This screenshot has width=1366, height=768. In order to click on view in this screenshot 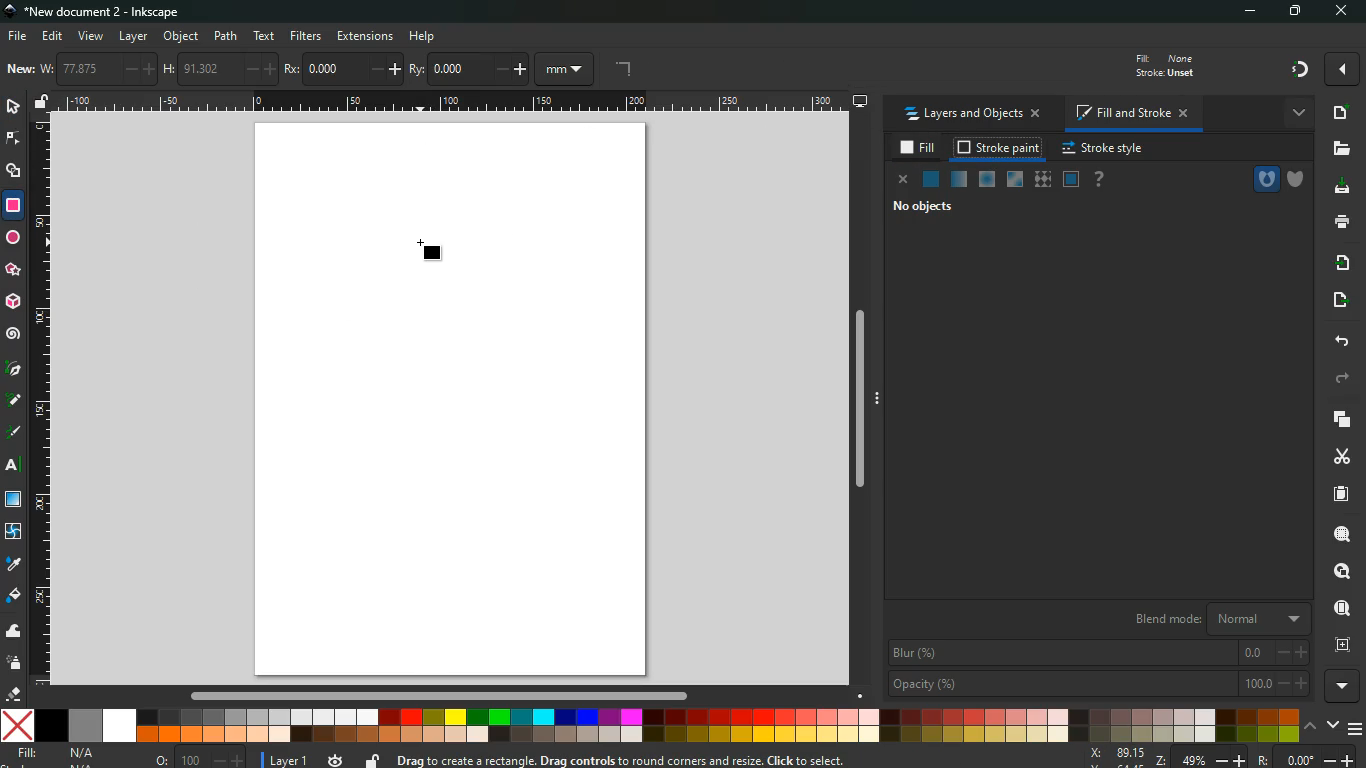, I will do `click(90, 35)`.